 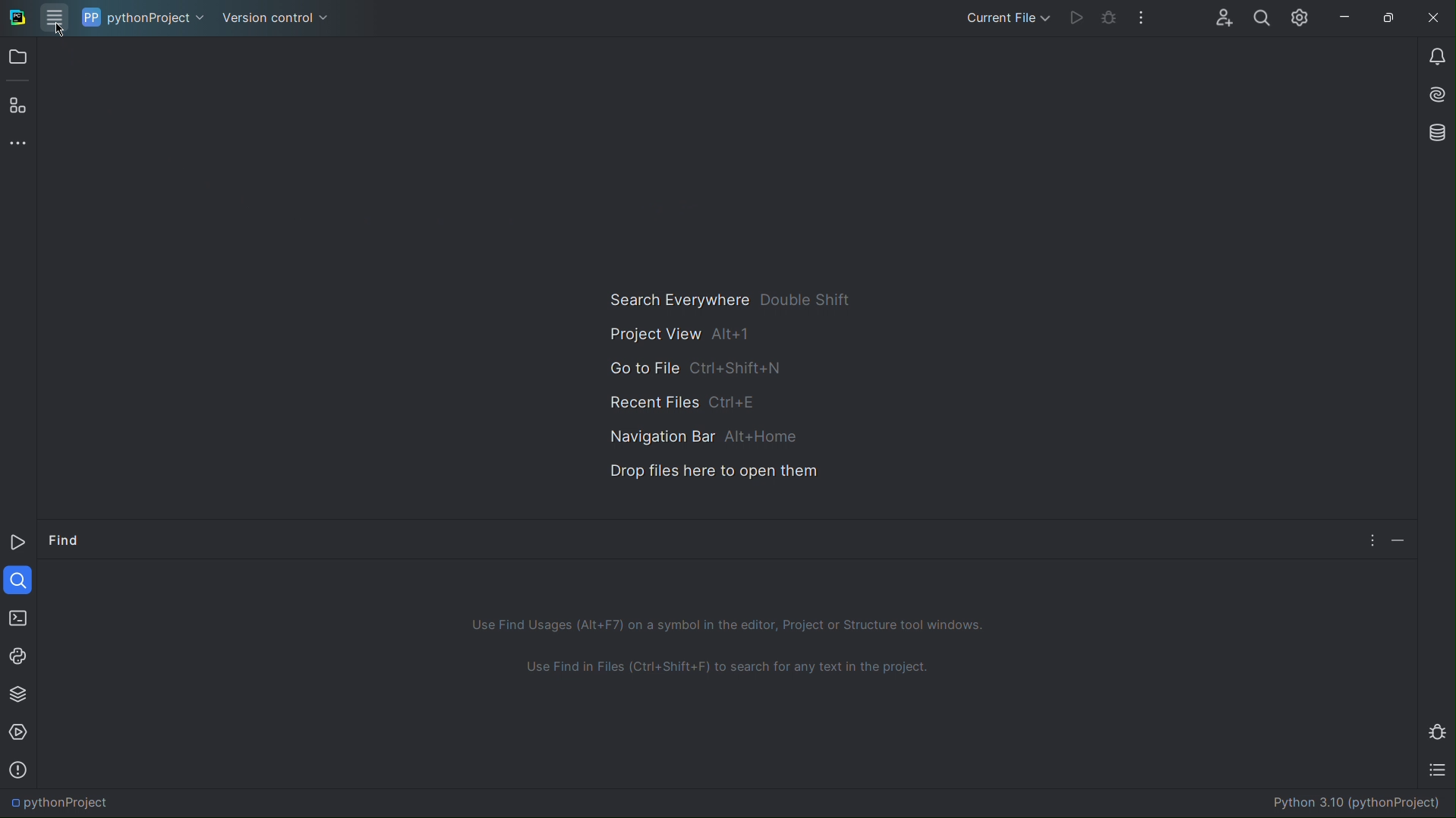 What do you see at coordinates (52, 16) in the screenshot?
I see `Application Menu` at bounding box center [52, 16].